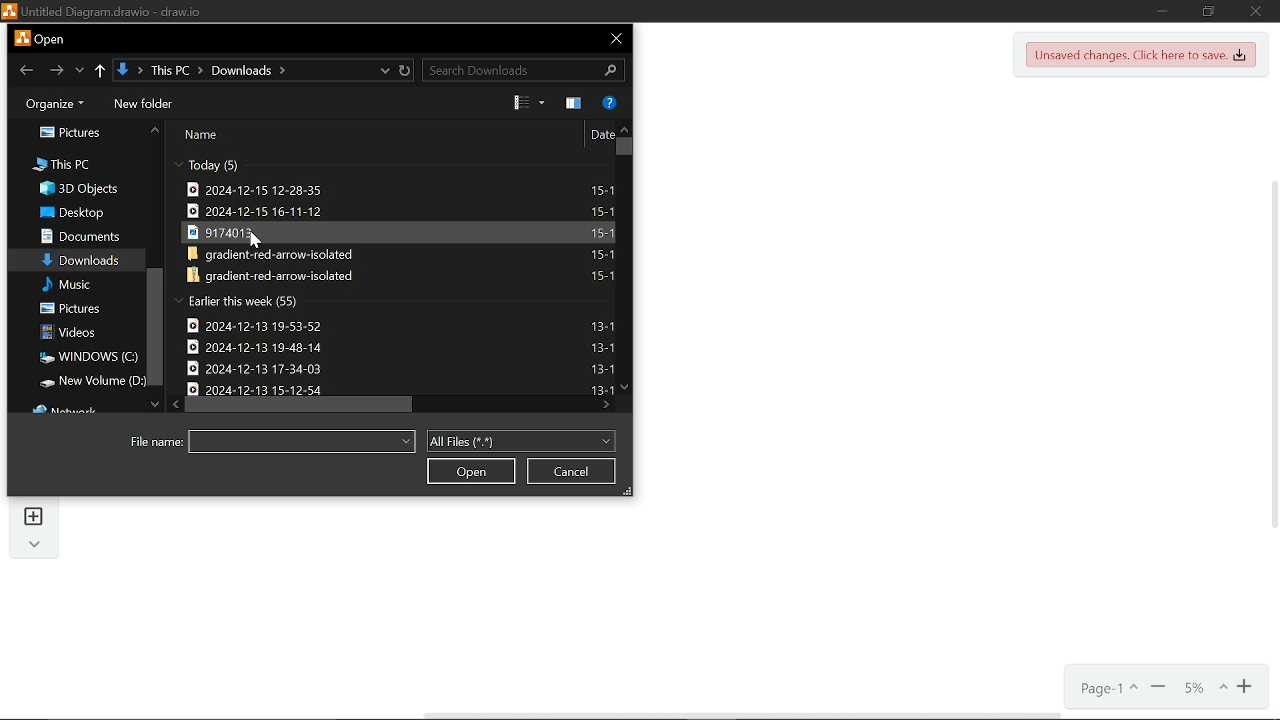  What do you see at coordinates (61, 102) in the screenshot?
I see `Organize` at bounding box center [61, 102].